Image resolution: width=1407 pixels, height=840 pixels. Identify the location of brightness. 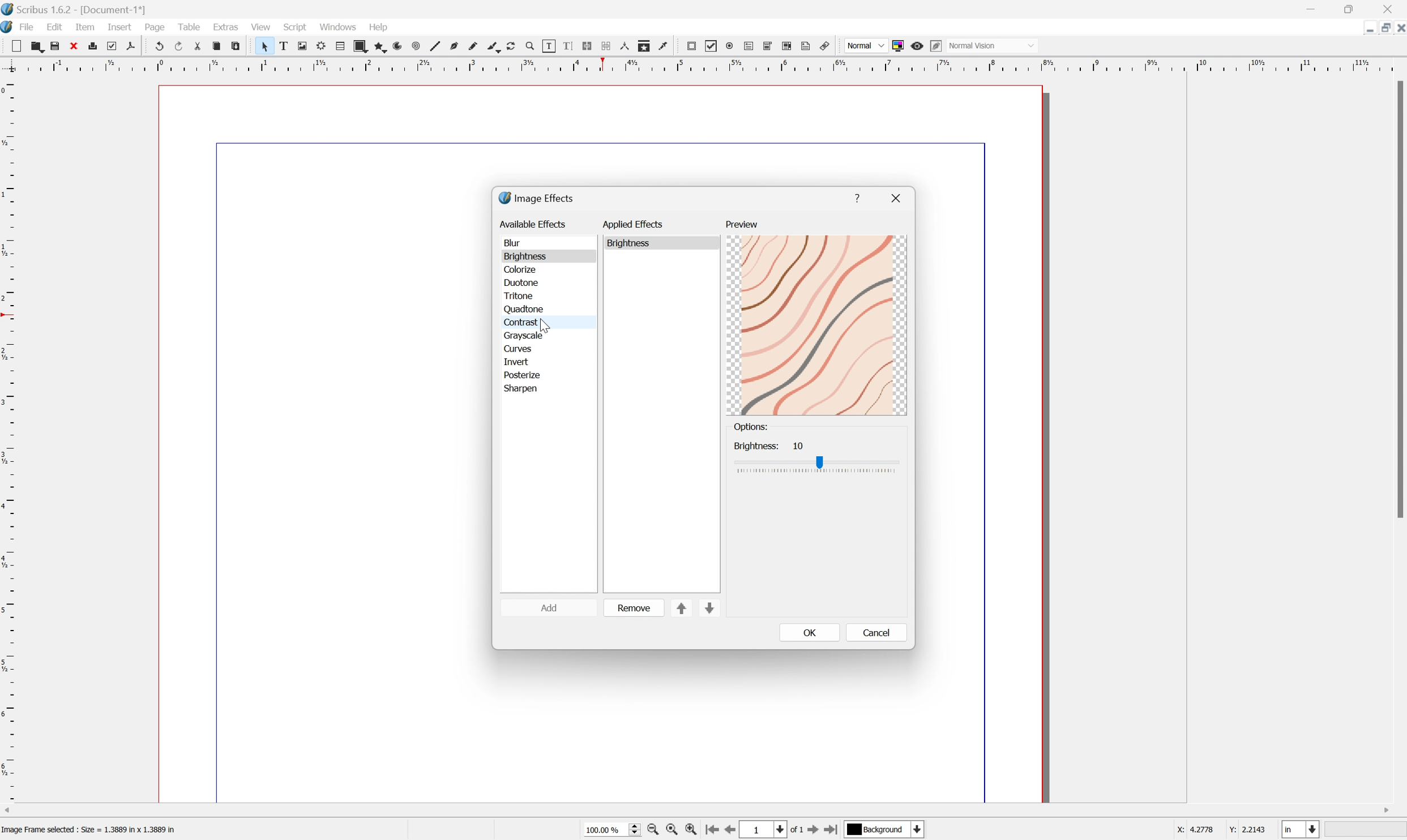
(631, 243).